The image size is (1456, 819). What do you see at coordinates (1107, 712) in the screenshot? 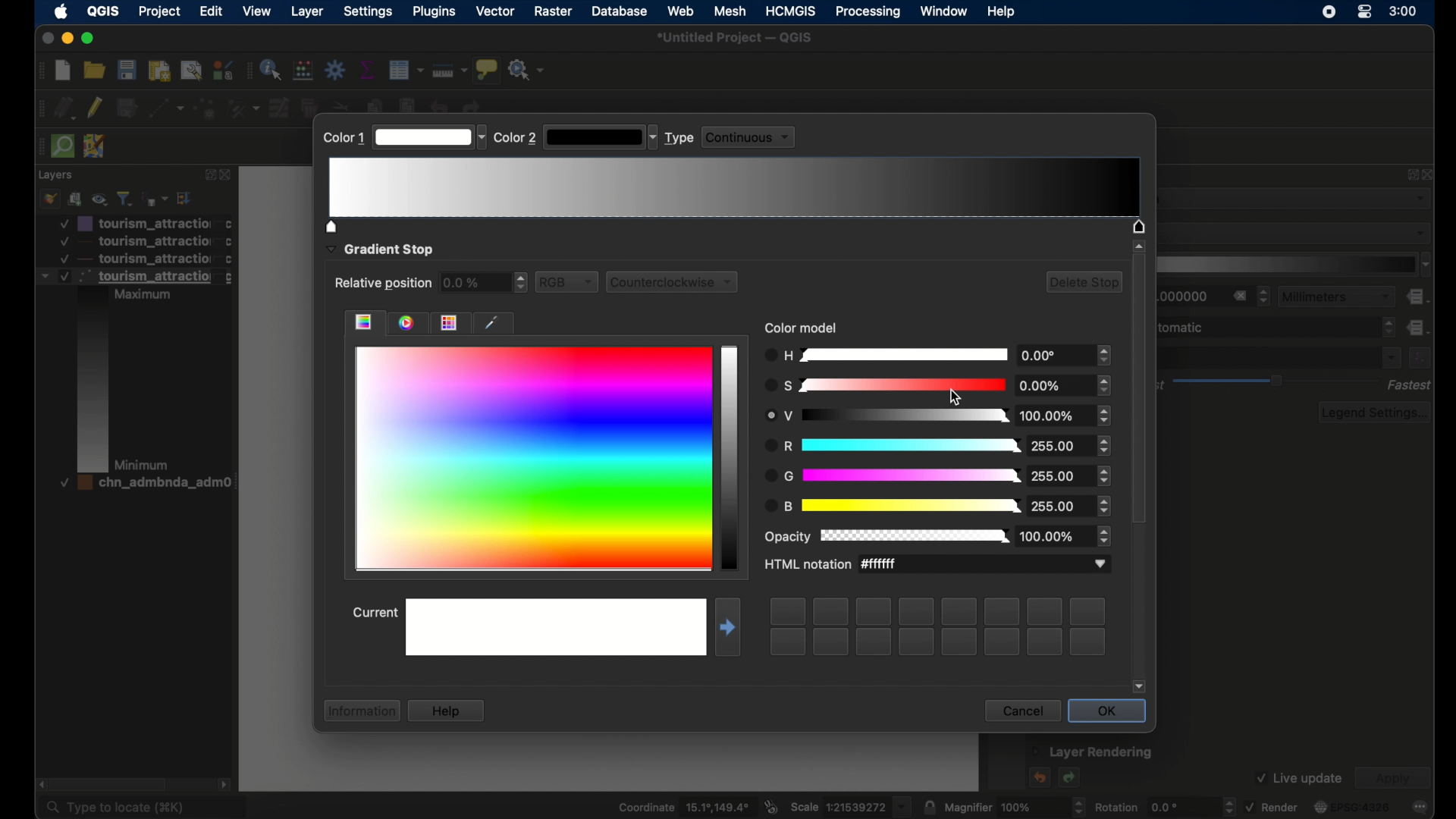
I see `ok` at bounding box center [1107, 712].